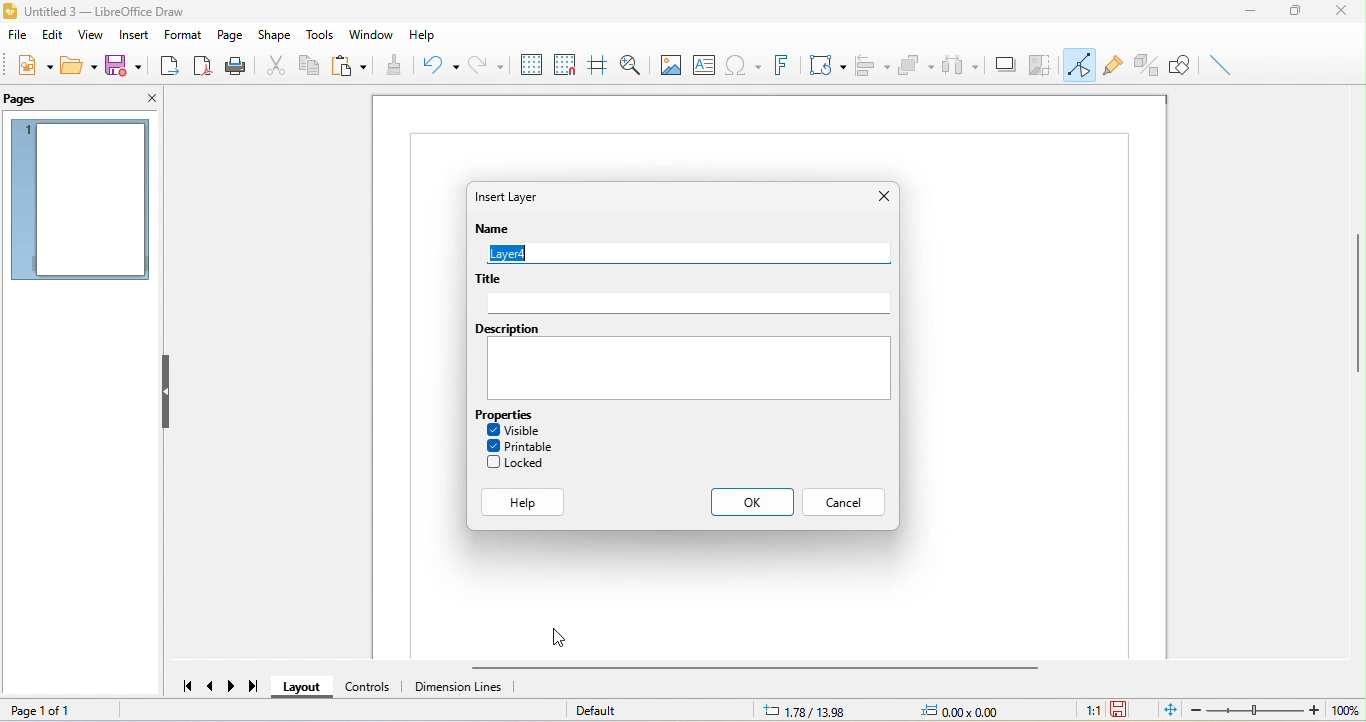 The height and width of the screenshot is (722, 1366). What do you see at coordinates (685, 253) in the screenshot?
I see `layer4` at bounding box center [685, 253].